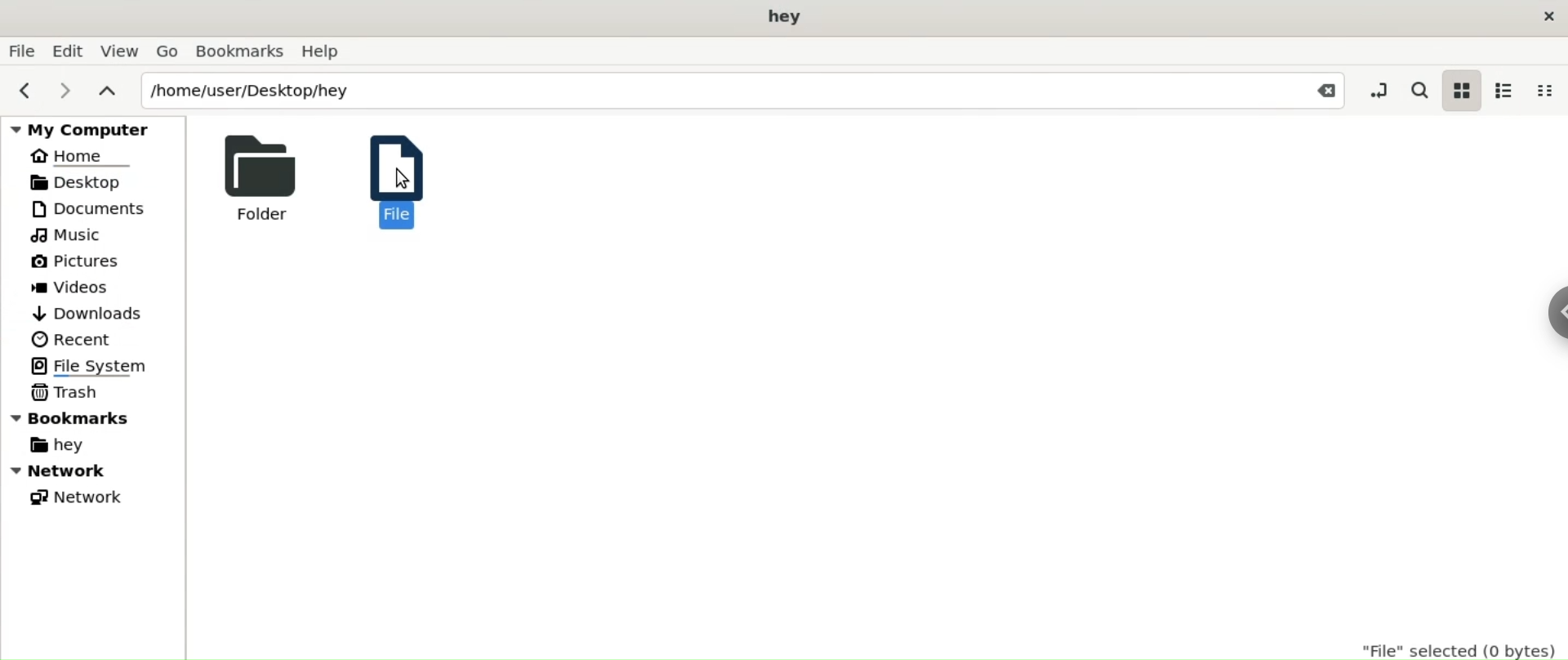 Image resolution: width=1568 pixels, height=660 pixels. Describe the element at coordinates (67, 235) in the screenshot. I see `Music` at that location.